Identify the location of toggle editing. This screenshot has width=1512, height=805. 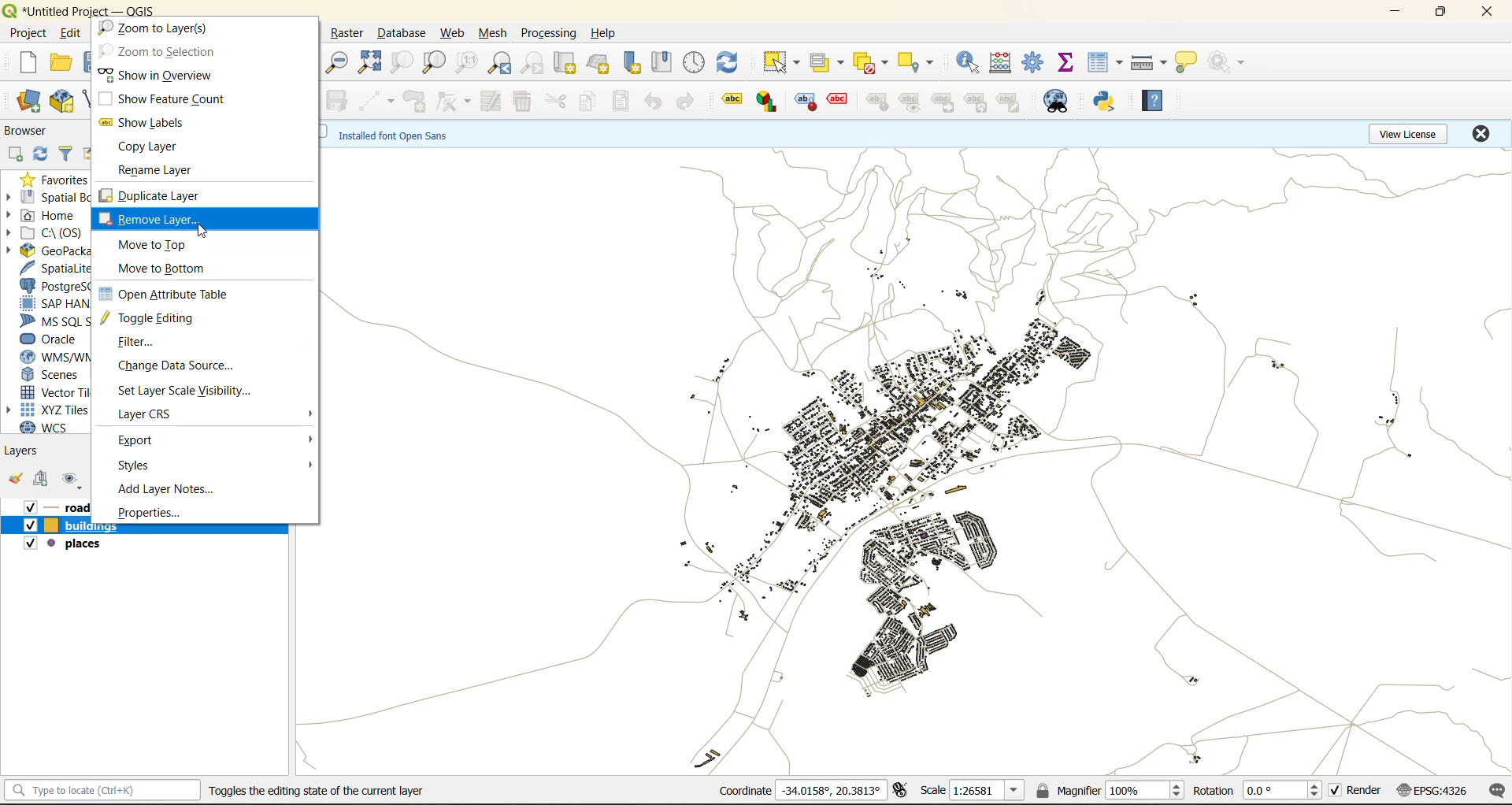
(162, 318).